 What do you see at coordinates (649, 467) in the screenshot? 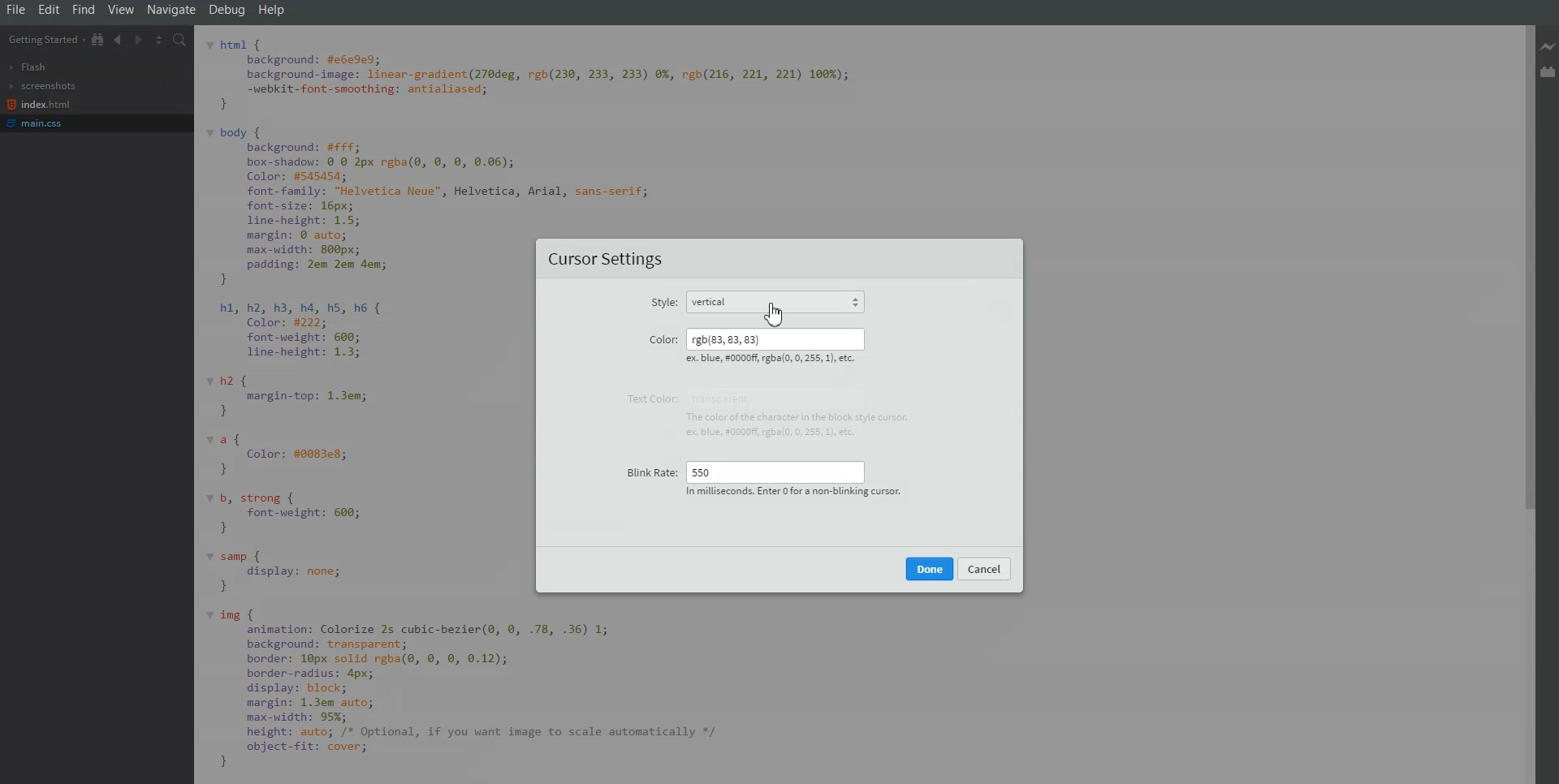
I see `Blink Rate` at bounding box center [649, 467].